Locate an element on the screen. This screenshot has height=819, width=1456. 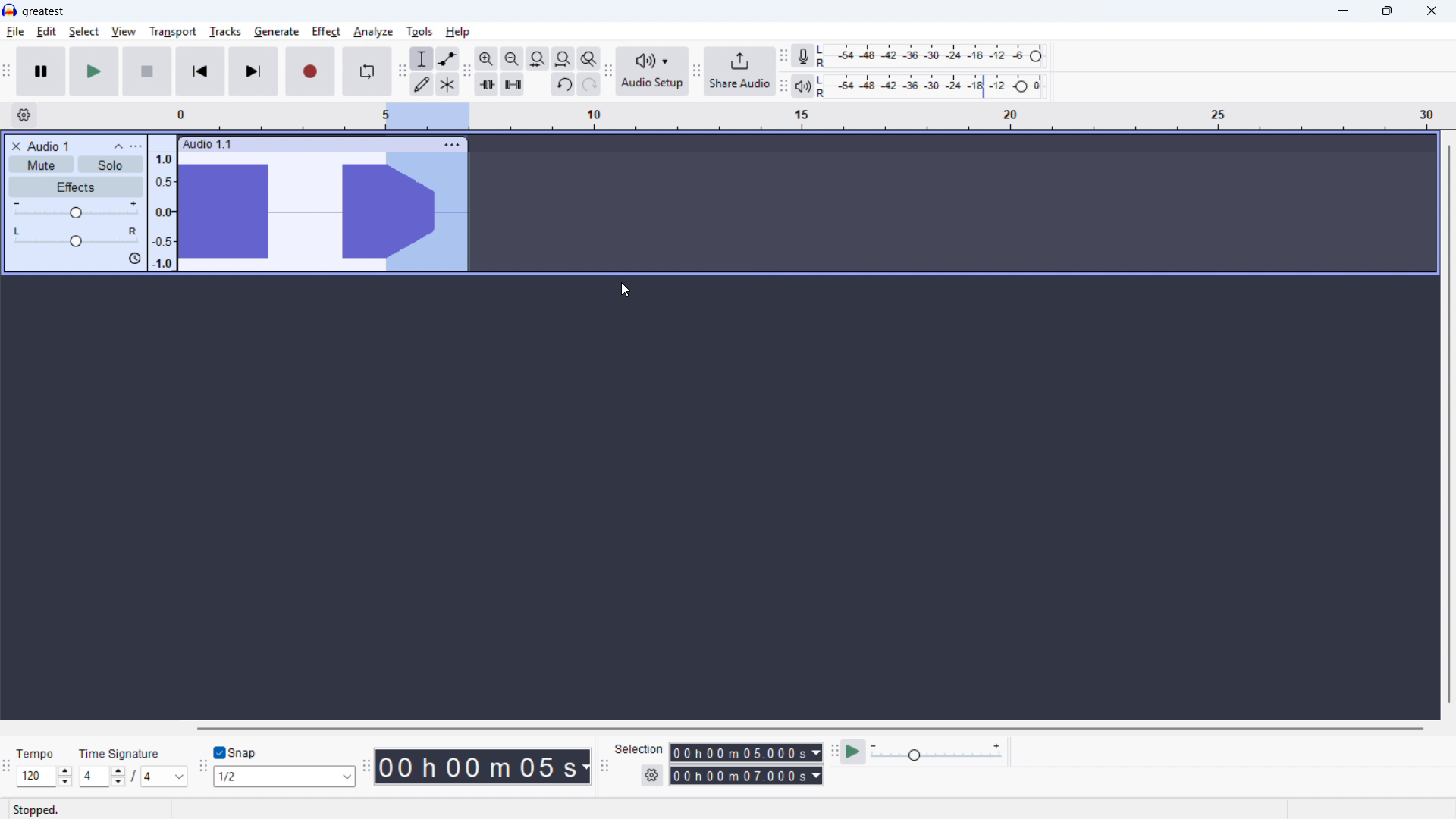
Greatest  is located at coordinates (42, 12).